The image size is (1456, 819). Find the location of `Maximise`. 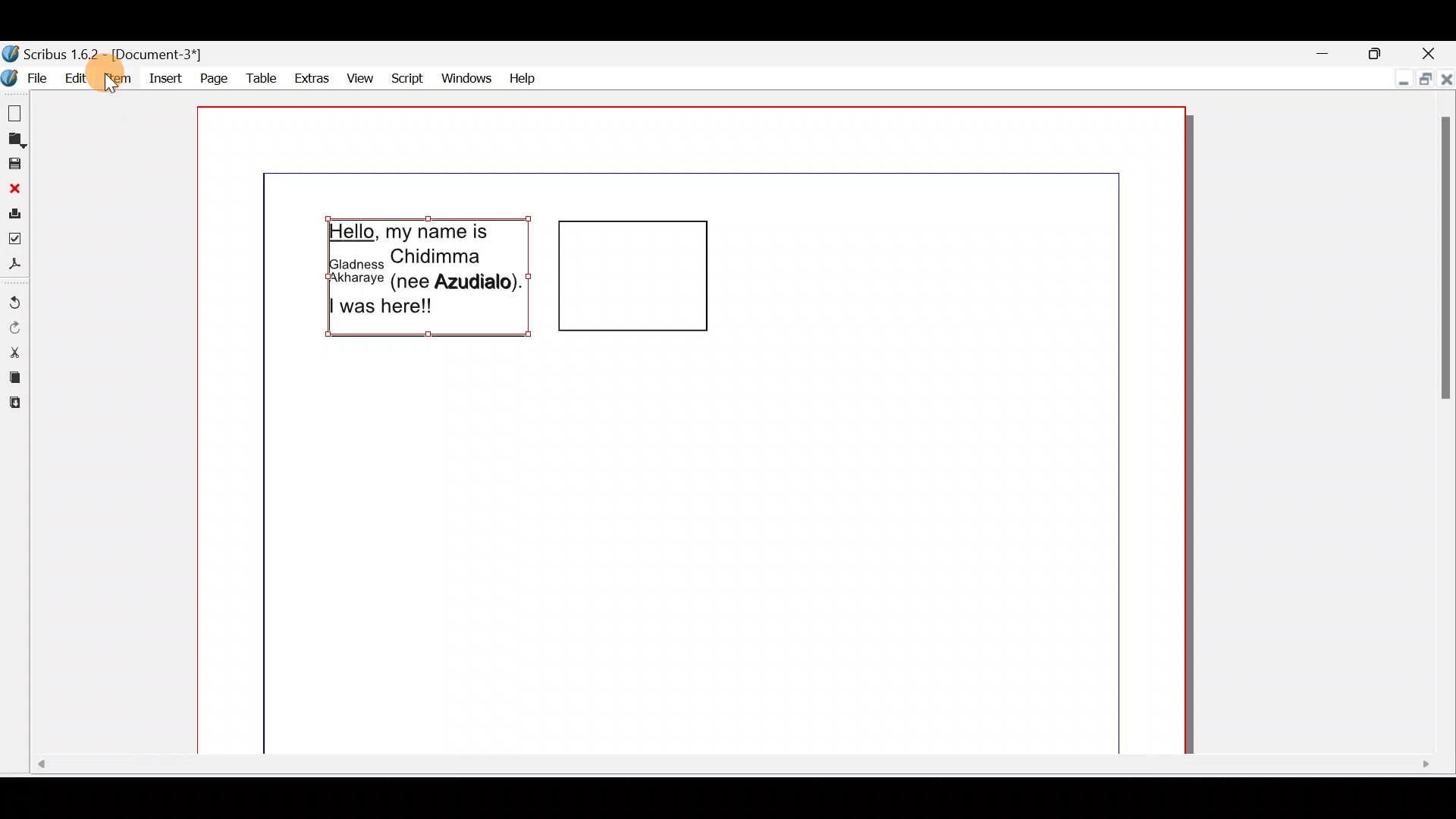

Maximise is located at coordinates (1422, 78).